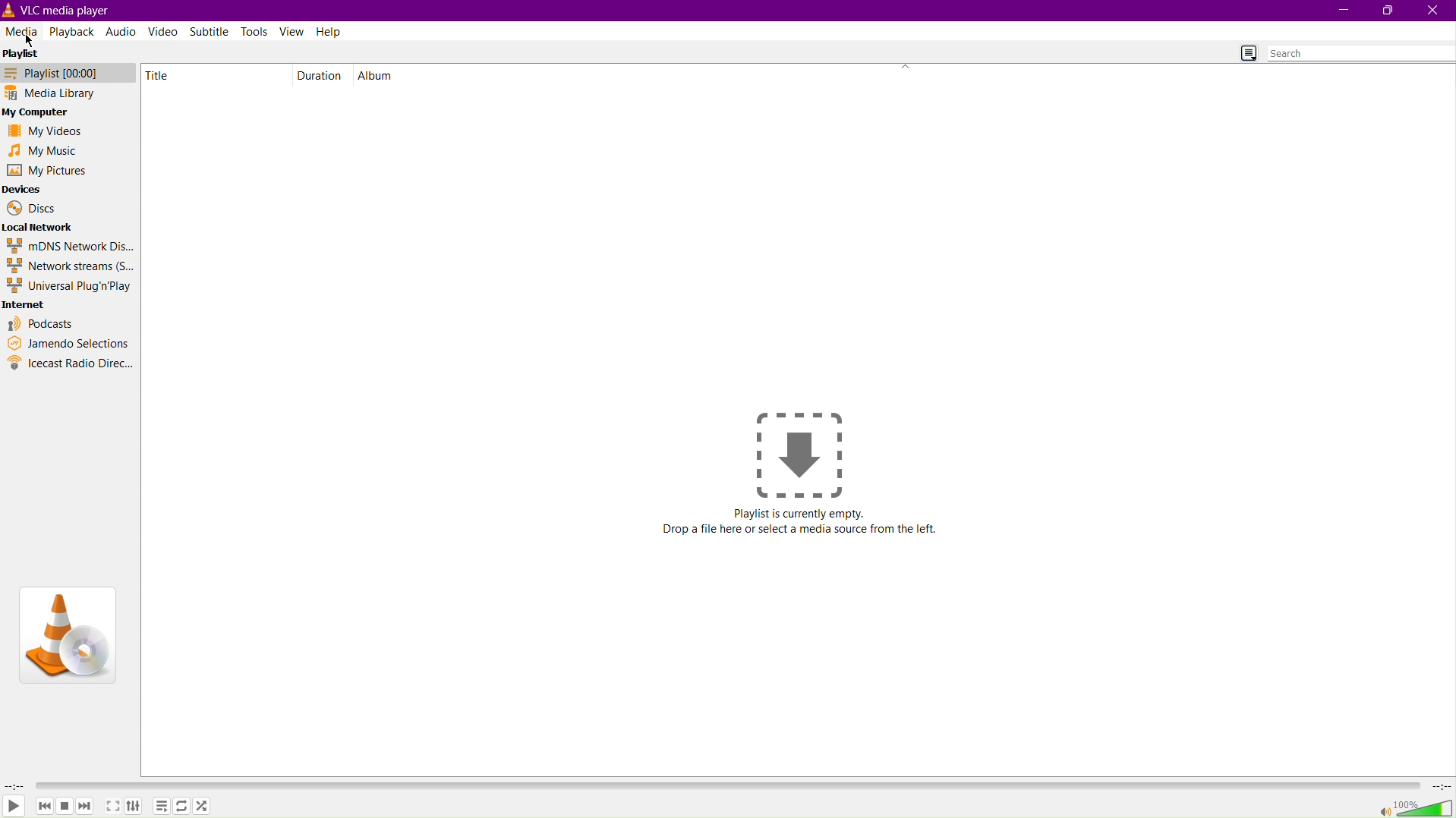 This screenshot has height=818, width=1456. Describe the element at coordinates (68, 94) in the screenshot. I see `Media Library` at that location.